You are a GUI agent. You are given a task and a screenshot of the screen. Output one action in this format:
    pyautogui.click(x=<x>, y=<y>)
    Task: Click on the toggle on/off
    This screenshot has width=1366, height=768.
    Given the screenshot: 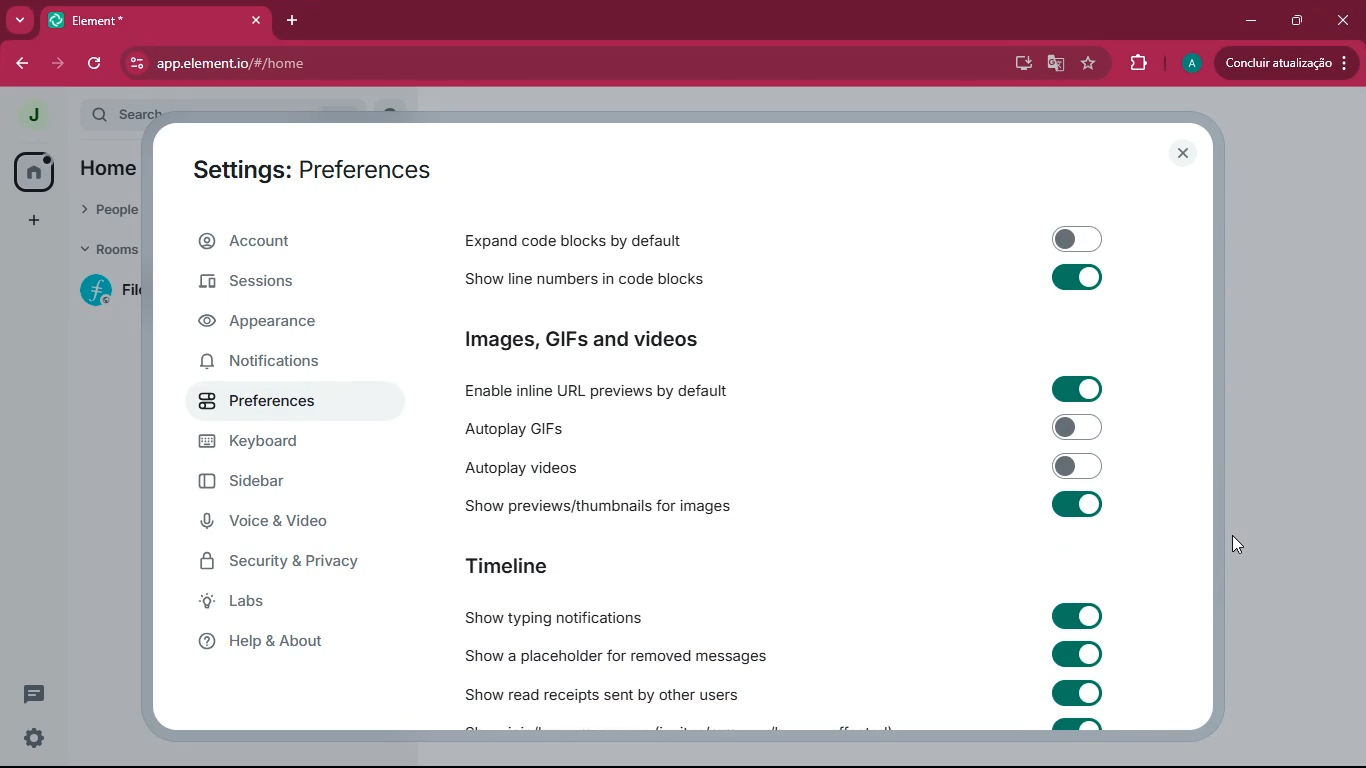 What is the action you would take?
    pyautogui.click(x=1079, y=692)
    